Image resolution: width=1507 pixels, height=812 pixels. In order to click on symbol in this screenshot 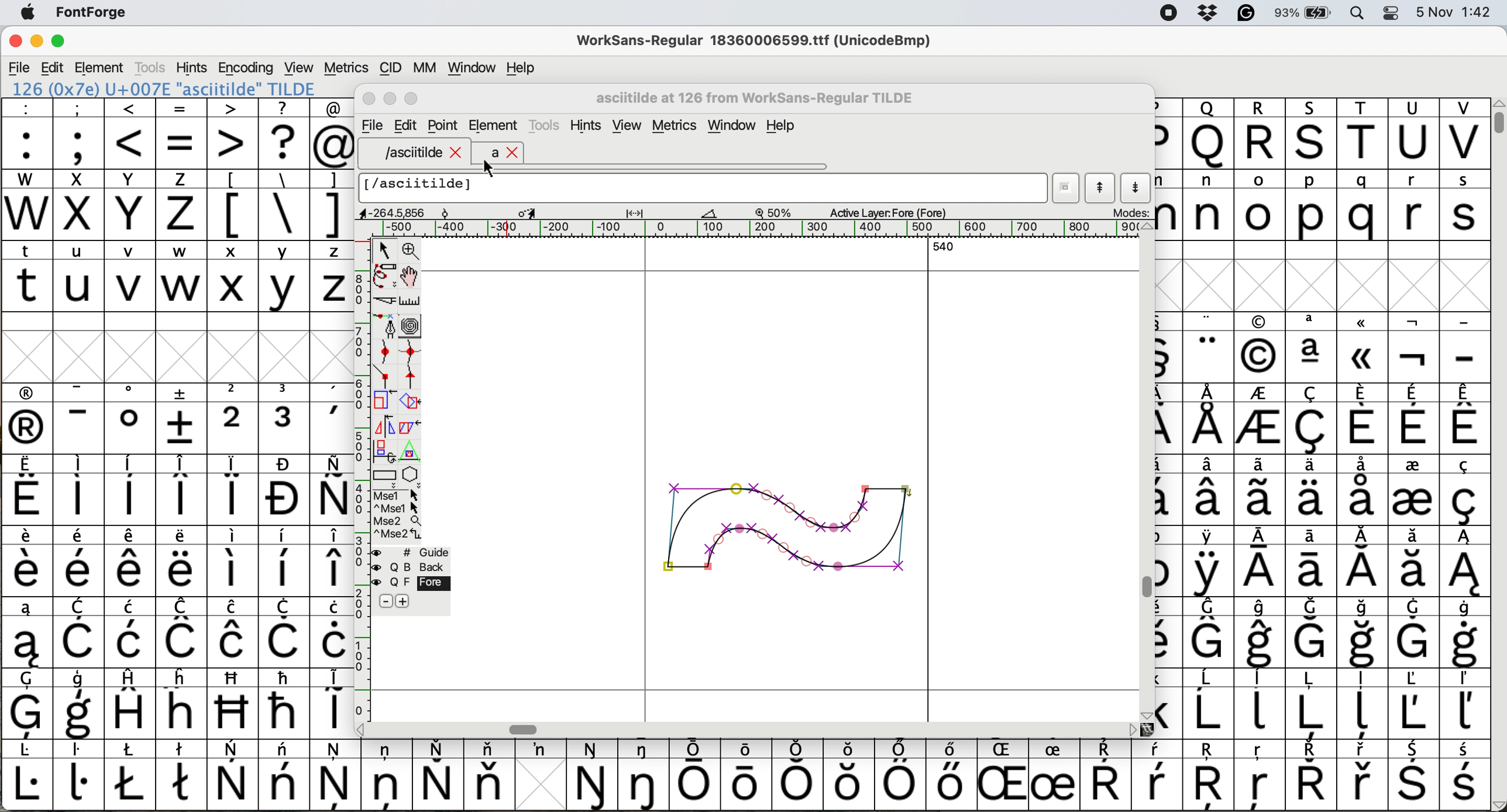, I will do `click(78, 490)`.